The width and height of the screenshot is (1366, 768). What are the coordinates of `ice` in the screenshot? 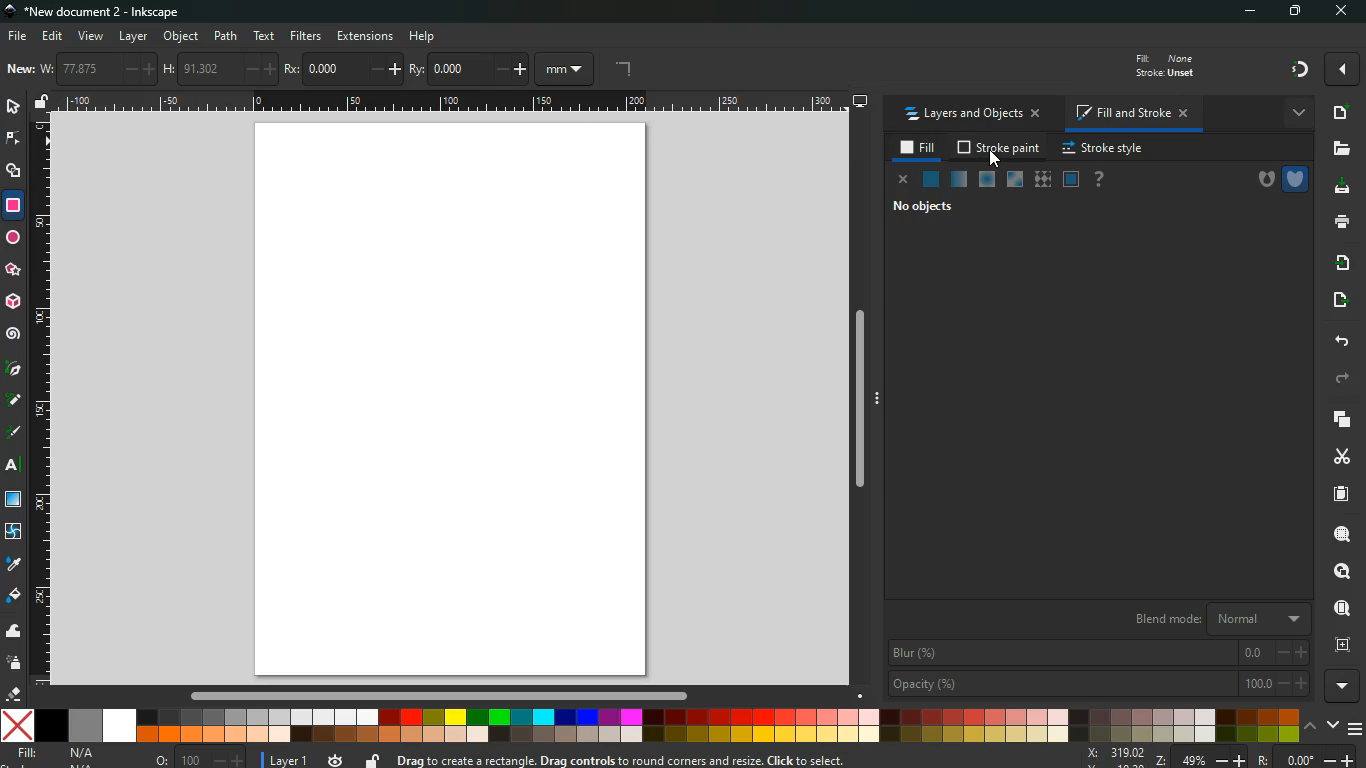 It's located at (987, 180).